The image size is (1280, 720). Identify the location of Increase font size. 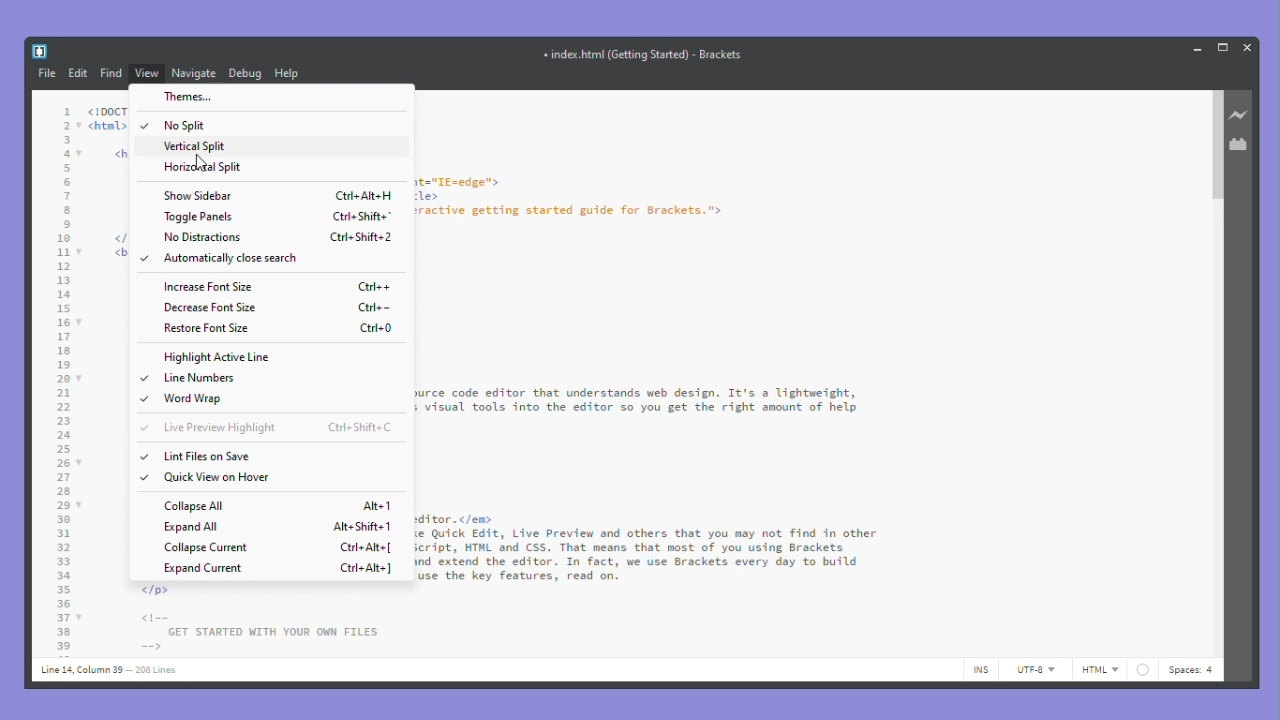
(278, 286).